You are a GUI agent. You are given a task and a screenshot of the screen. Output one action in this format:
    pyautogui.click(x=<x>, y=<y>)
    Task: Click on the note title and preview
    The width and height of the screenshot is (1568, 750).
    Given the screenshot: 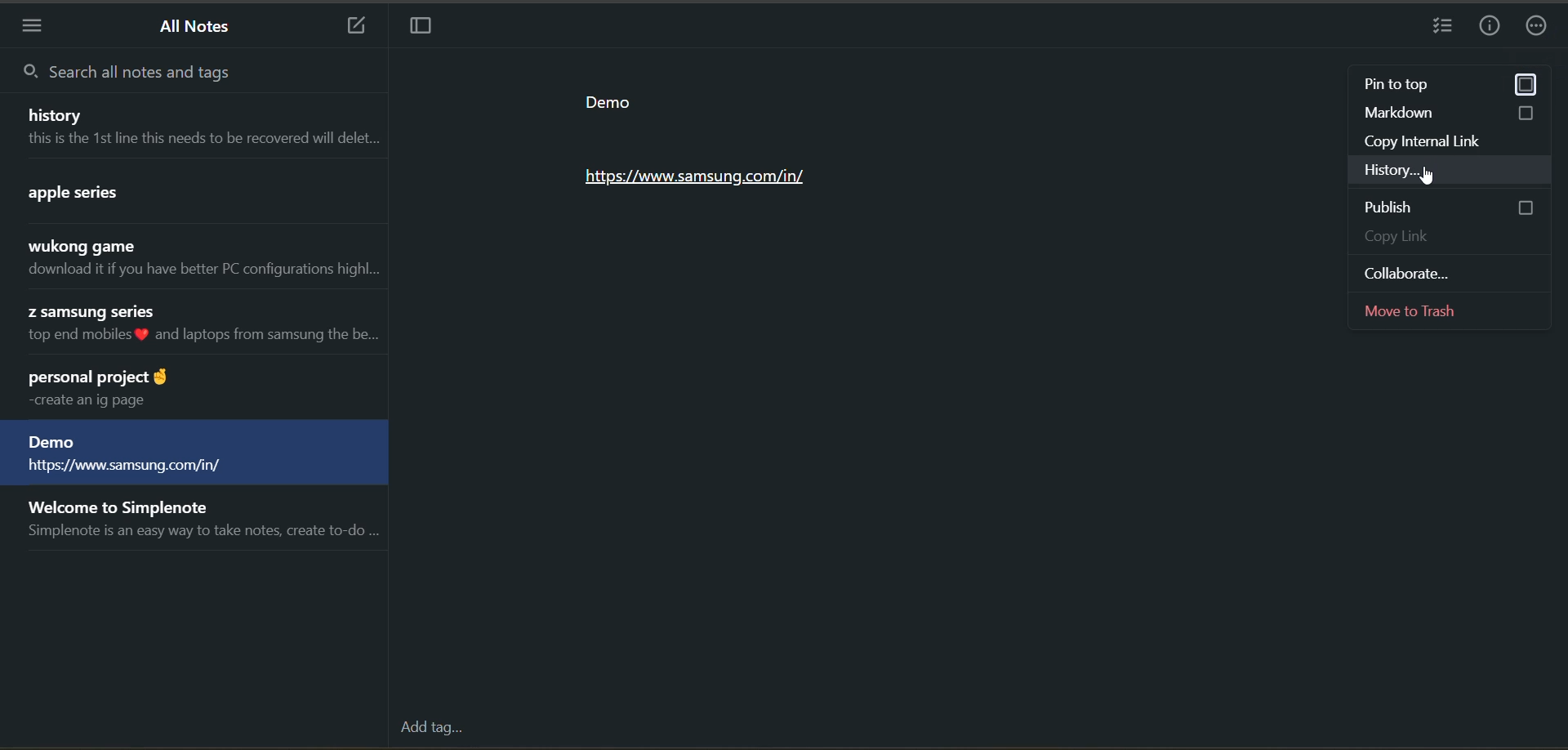 What is the action you would take?
    pyautogui.click(x=195, y=326)
    